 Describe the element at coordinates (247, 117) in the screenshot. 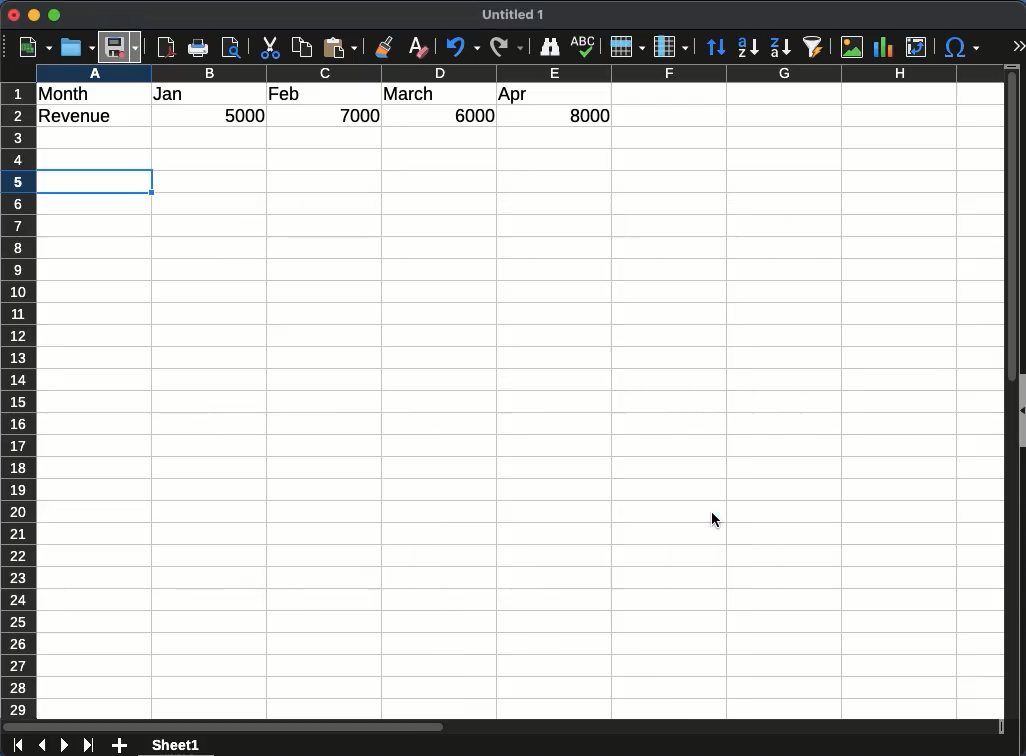

I see `5000` at that location.